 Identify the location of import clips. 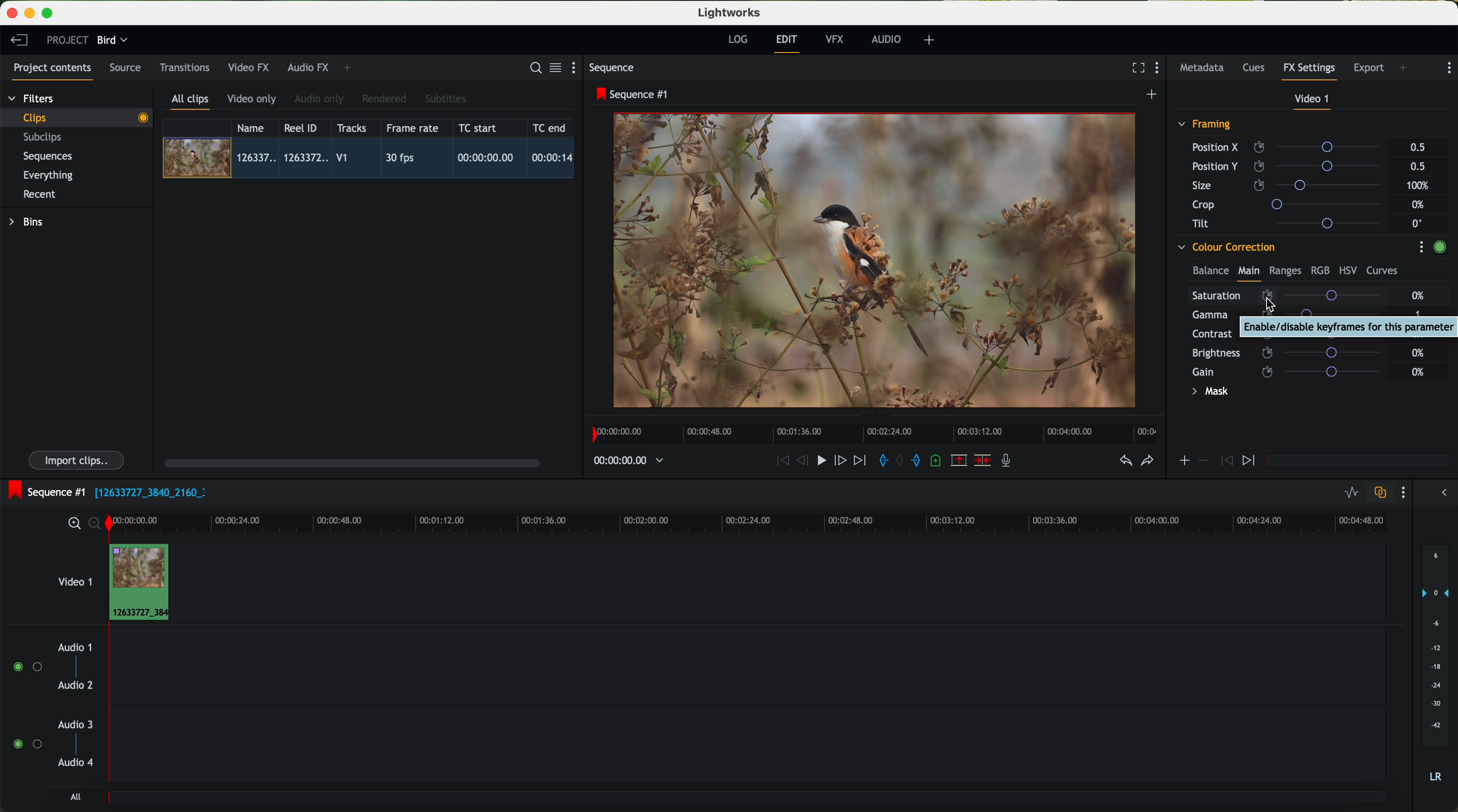
(78, 459).